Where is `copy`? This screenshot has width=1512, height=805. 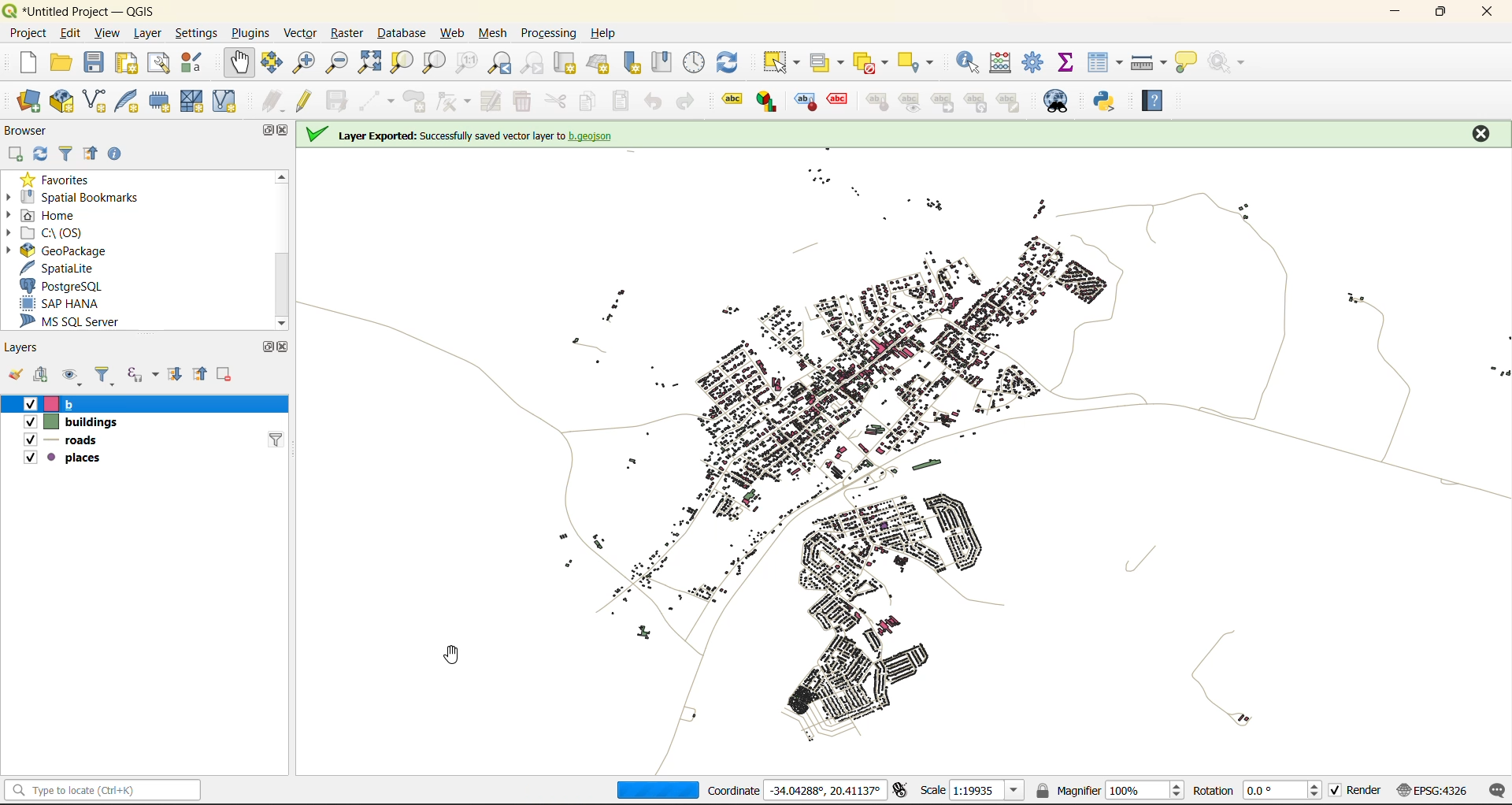 copy is located at coordinates (584, 102).